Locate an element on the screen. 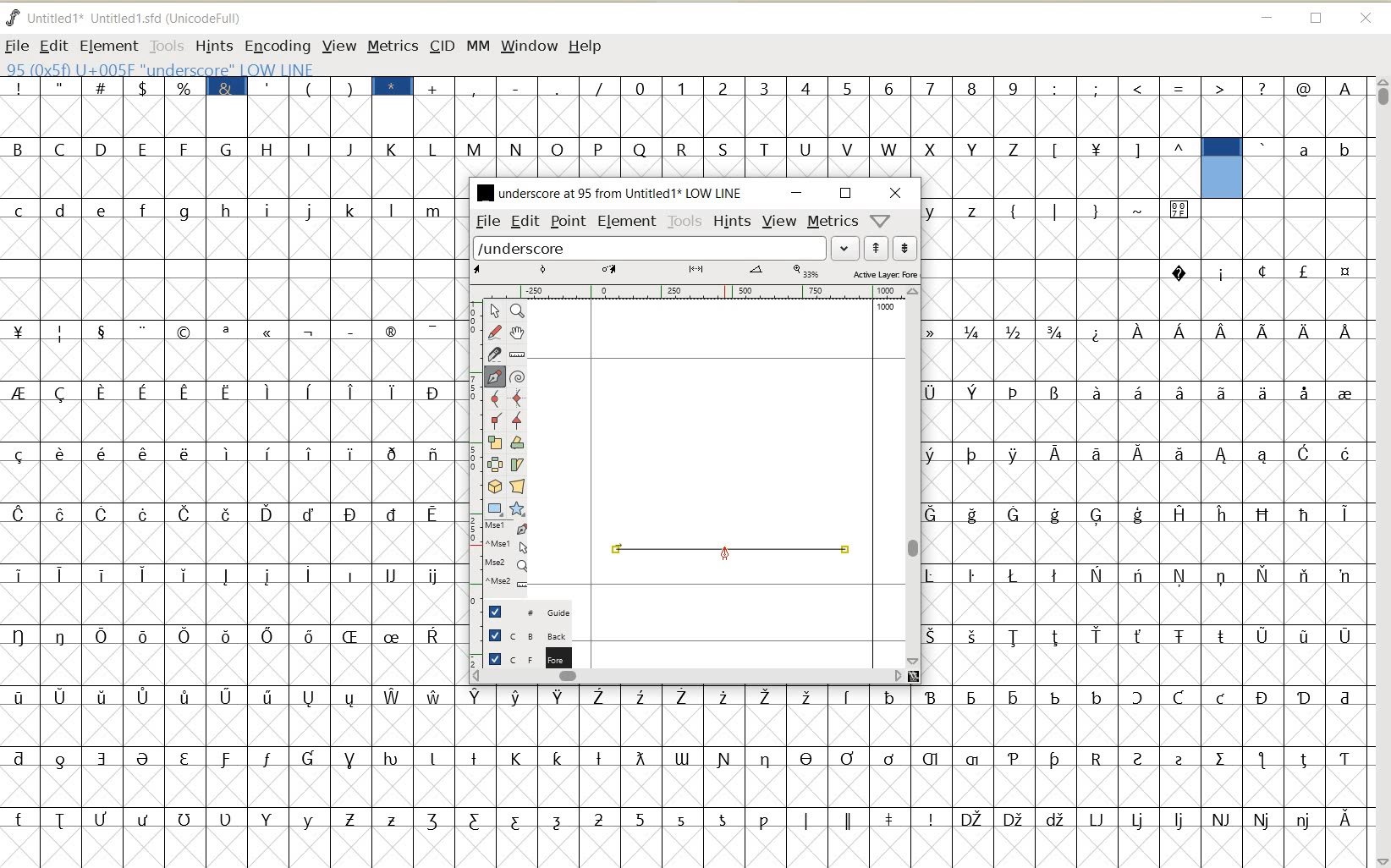  flip the selection is located at coordinates (494, 464).